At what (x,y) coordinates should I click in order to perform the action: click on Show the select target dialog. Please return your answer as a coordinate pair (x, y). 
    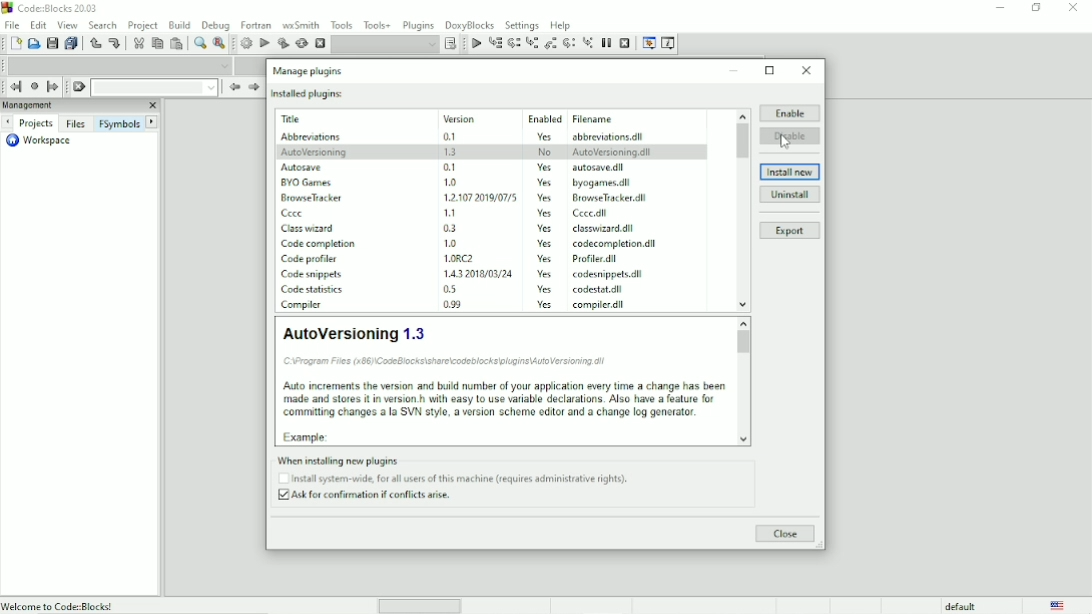
    Looking at the image, I should click on (452, 44).